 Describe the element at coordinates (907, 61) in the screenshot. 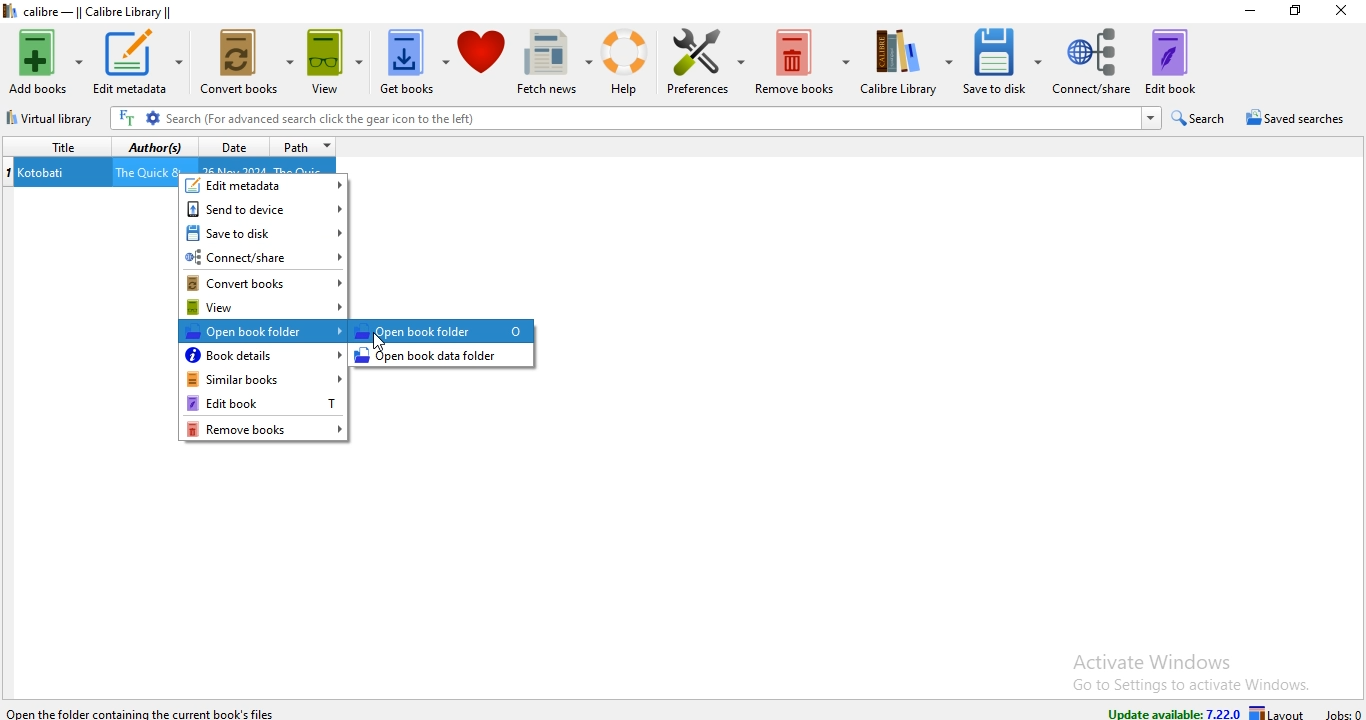

I see `calibre library` at that location.